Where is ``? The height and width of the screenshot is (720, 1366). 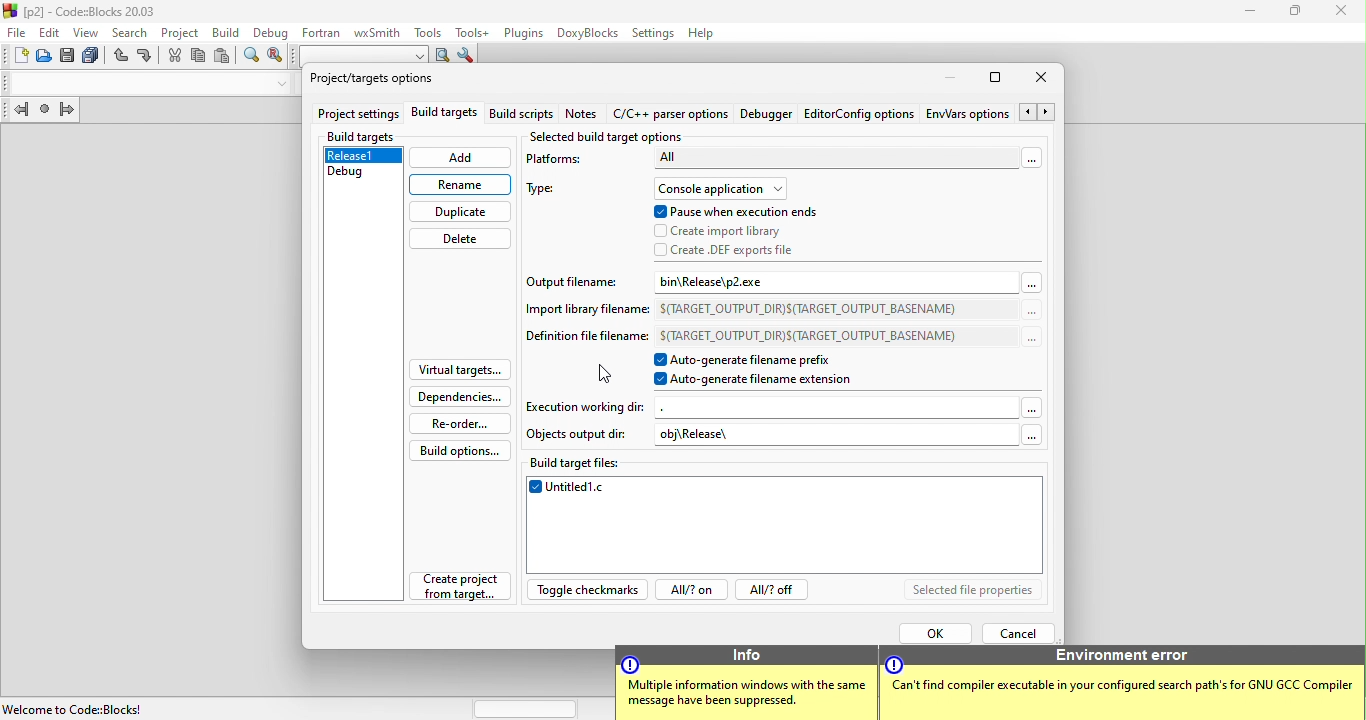  is located at coordinates (747, 697).